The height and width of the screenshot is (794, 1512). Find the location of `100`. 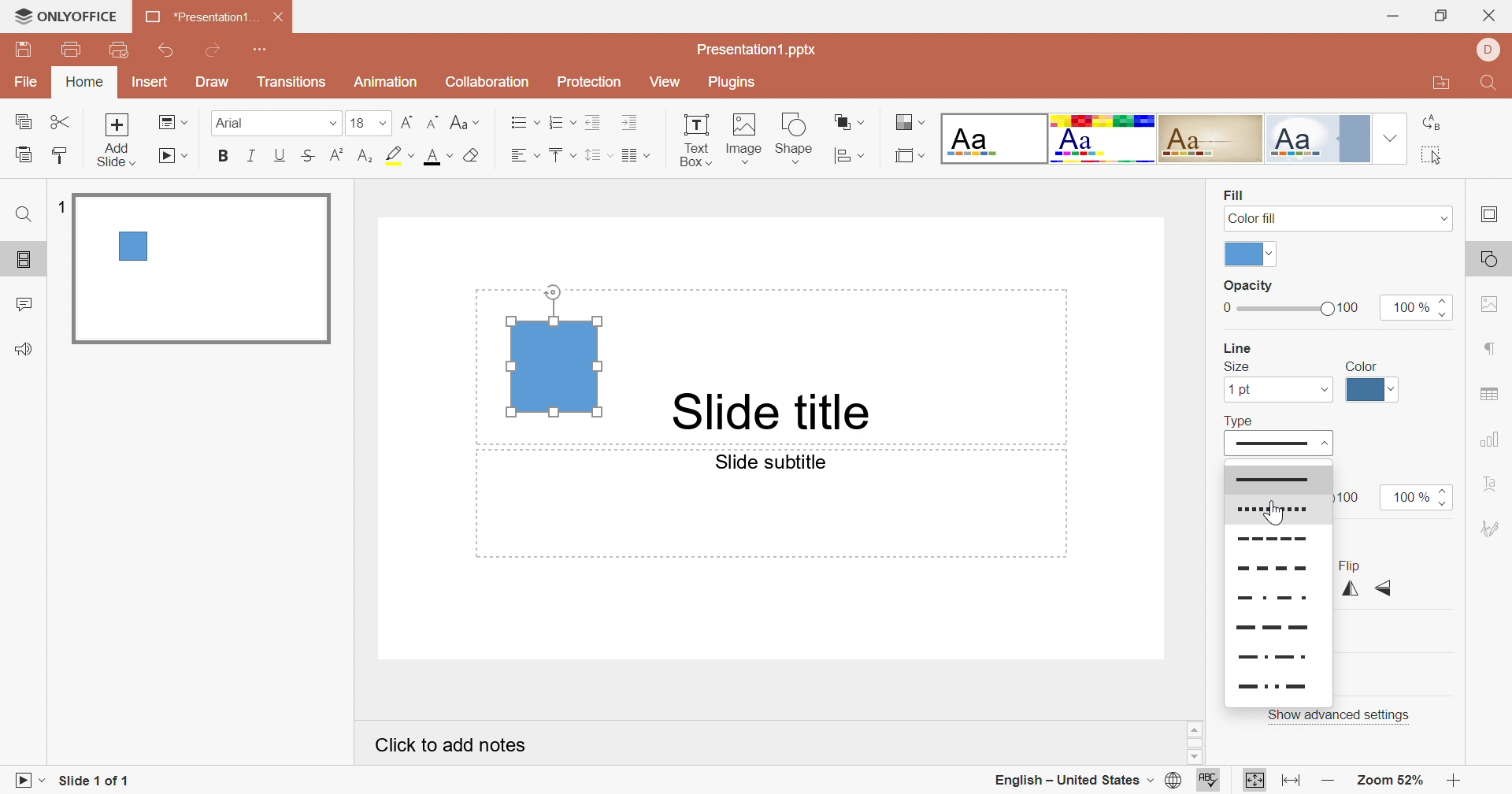

100 is located at coordinates (1350, 307).